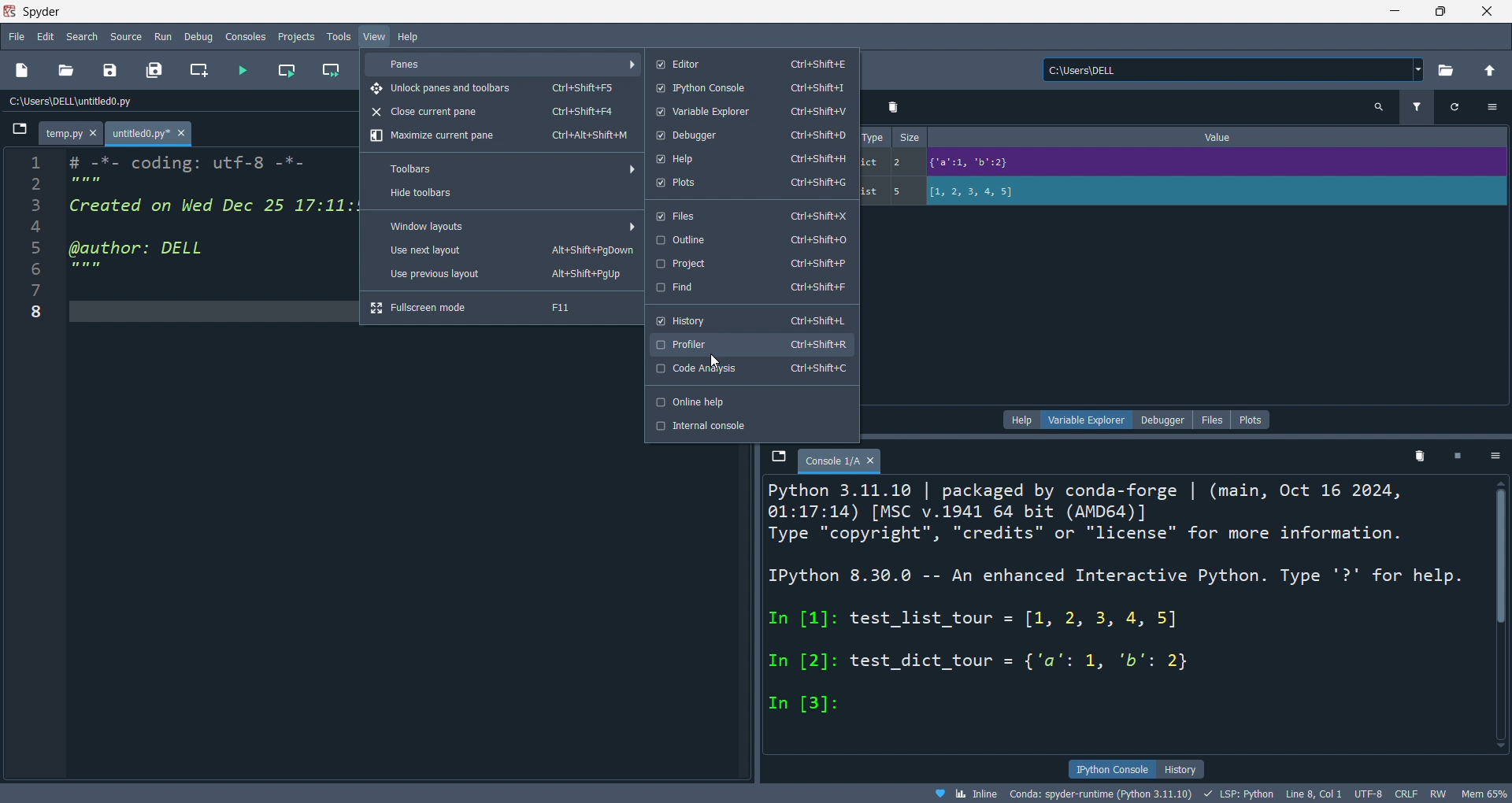 This screenshot has width=1512, height=803. What do you see at coordinates (499, 250) in the screenshot?
I see `use next layout` at bounding box center [499, 250].